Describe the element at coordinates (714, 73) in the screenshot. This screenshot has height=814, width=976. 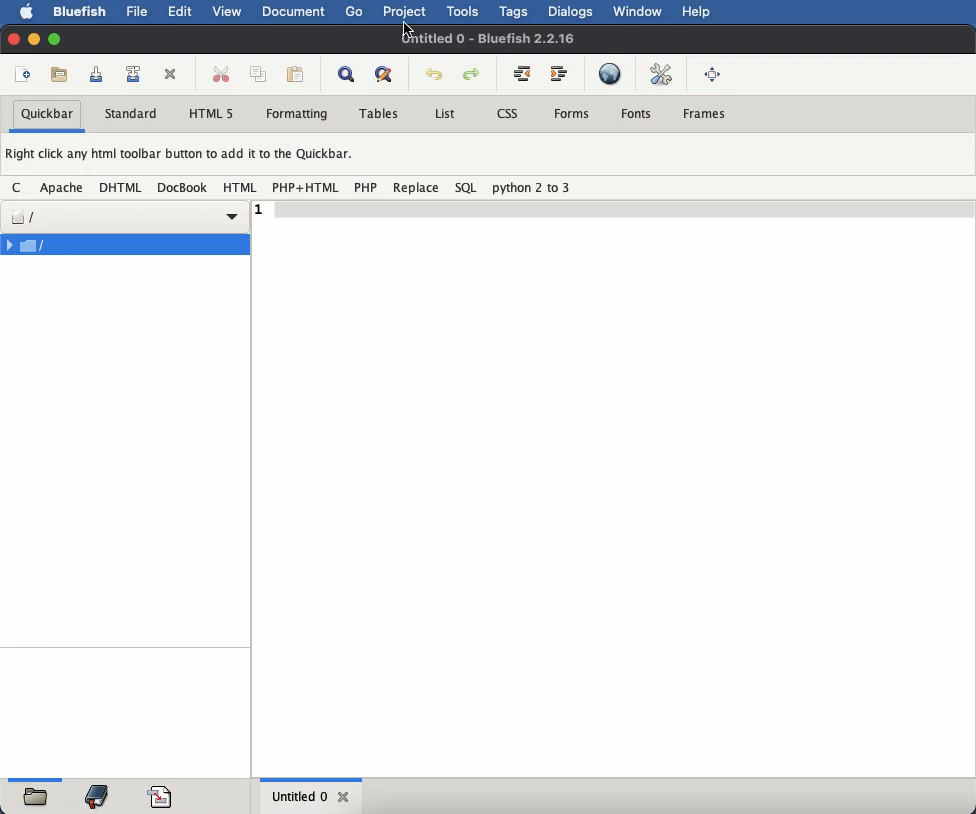
I see `full screen` at that location.